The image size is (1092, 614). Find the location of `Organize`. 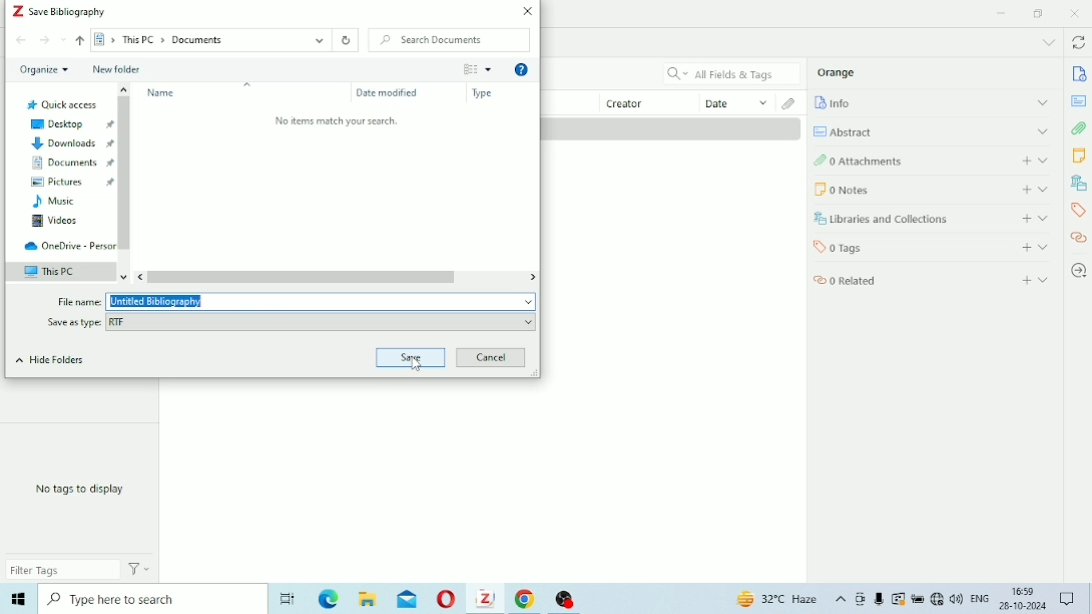

Organize is located at coordinates (44, 70).